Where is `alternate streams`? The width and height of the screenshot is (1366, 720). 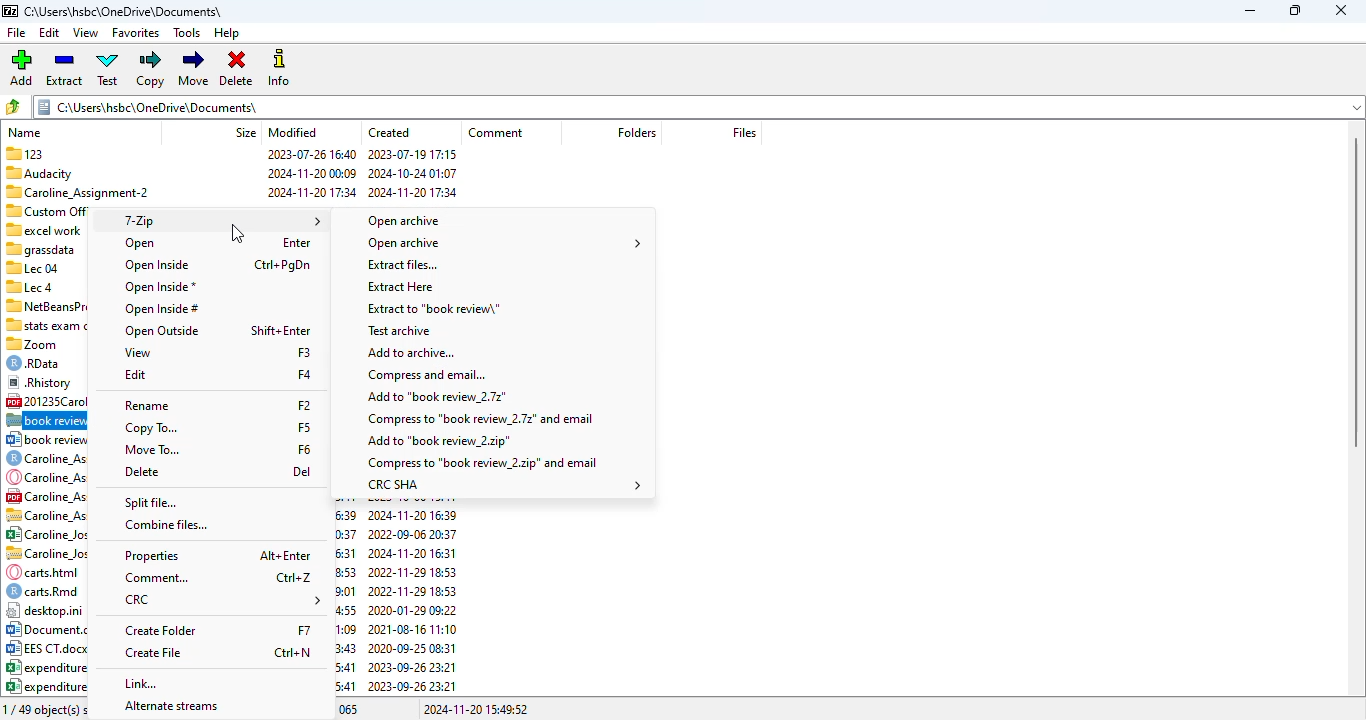
alternate streams is located at coordinates (171, 707).